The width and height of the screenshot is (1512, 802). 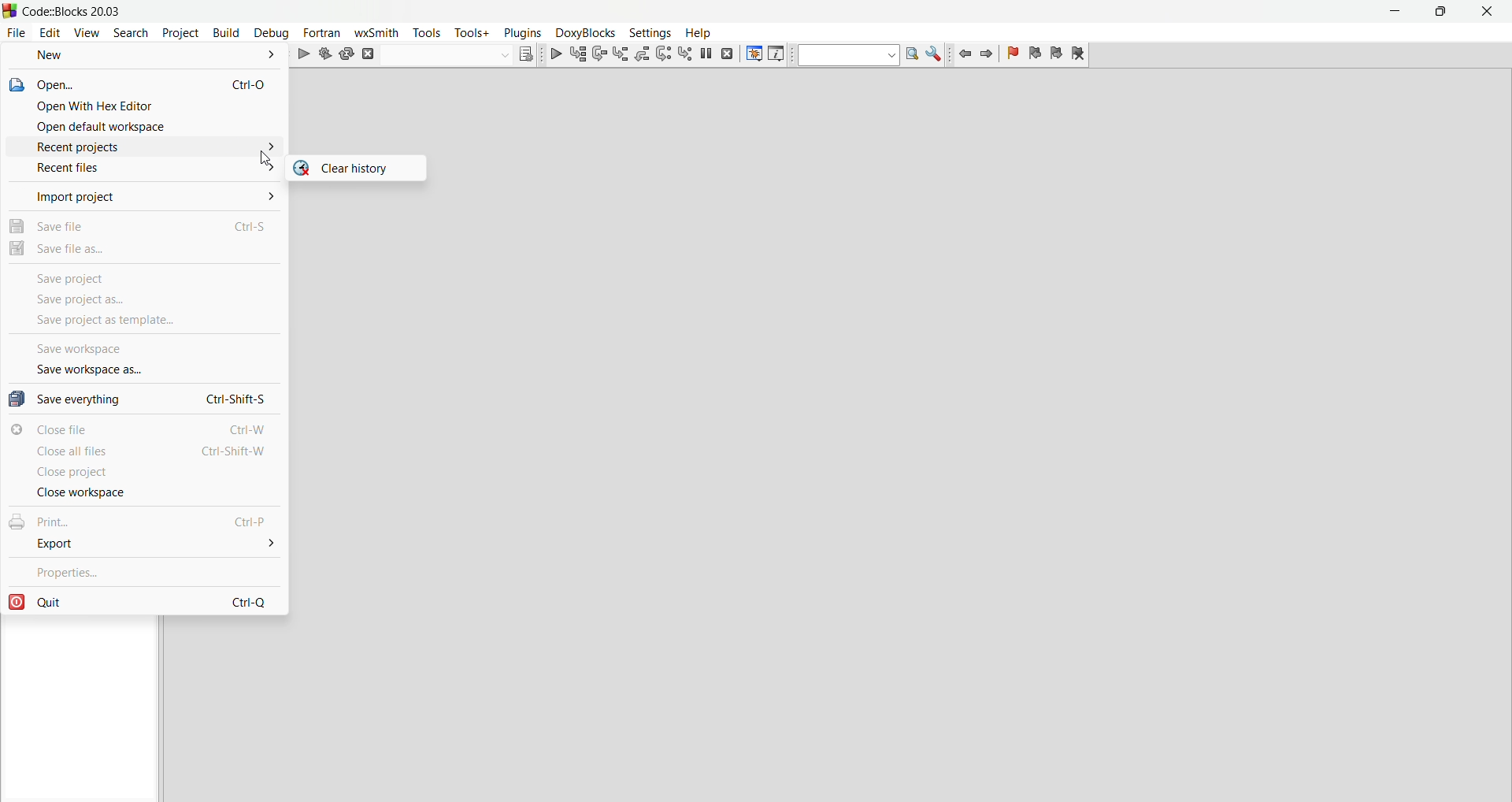 What do you see at coordinates (145, 275) in the screenshot?
I see `save project` at bounding box center [145, 275].